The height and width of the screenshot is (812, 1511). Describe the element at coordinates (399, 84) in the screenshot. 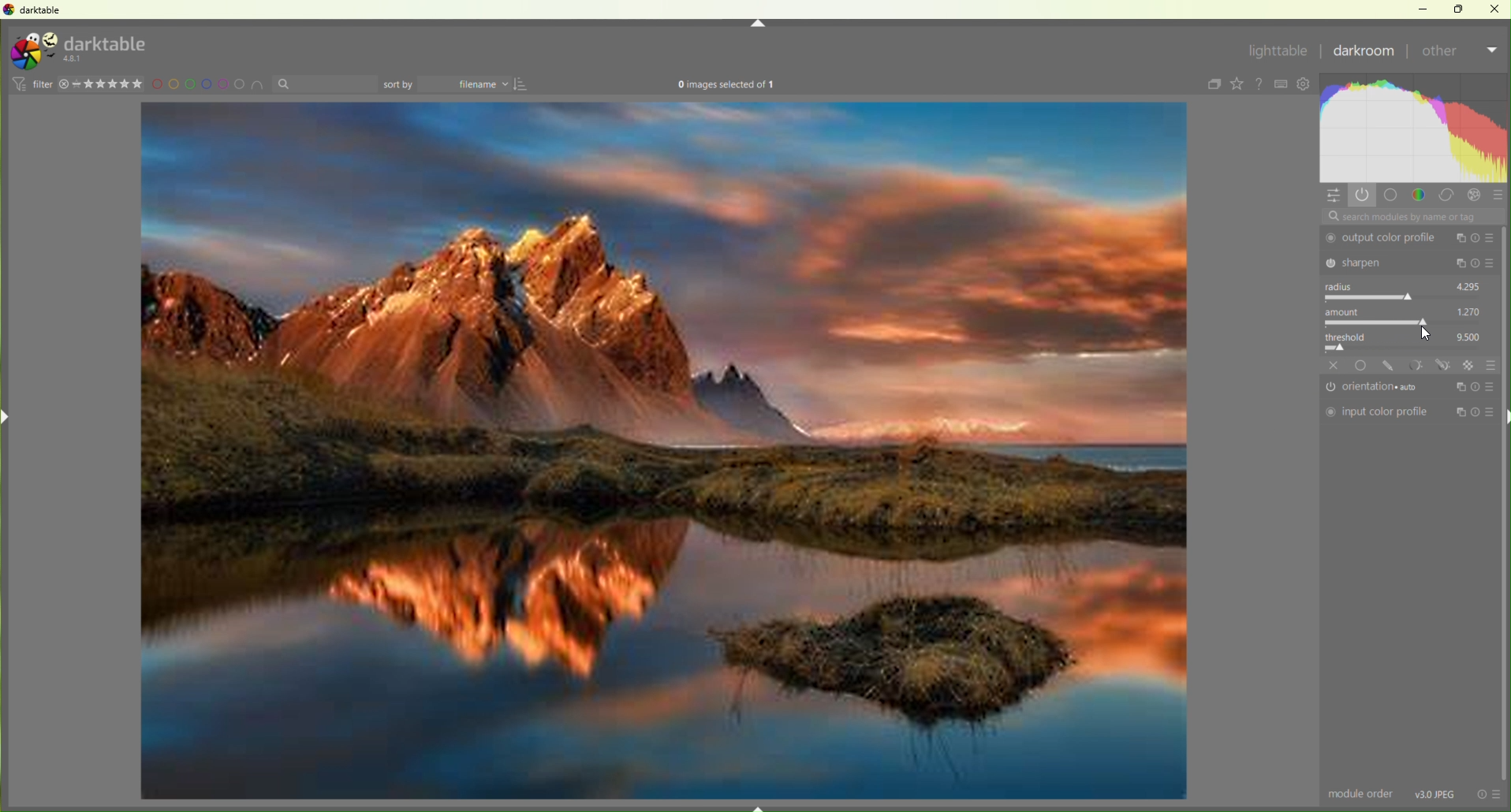

I see `sort by` at that location.